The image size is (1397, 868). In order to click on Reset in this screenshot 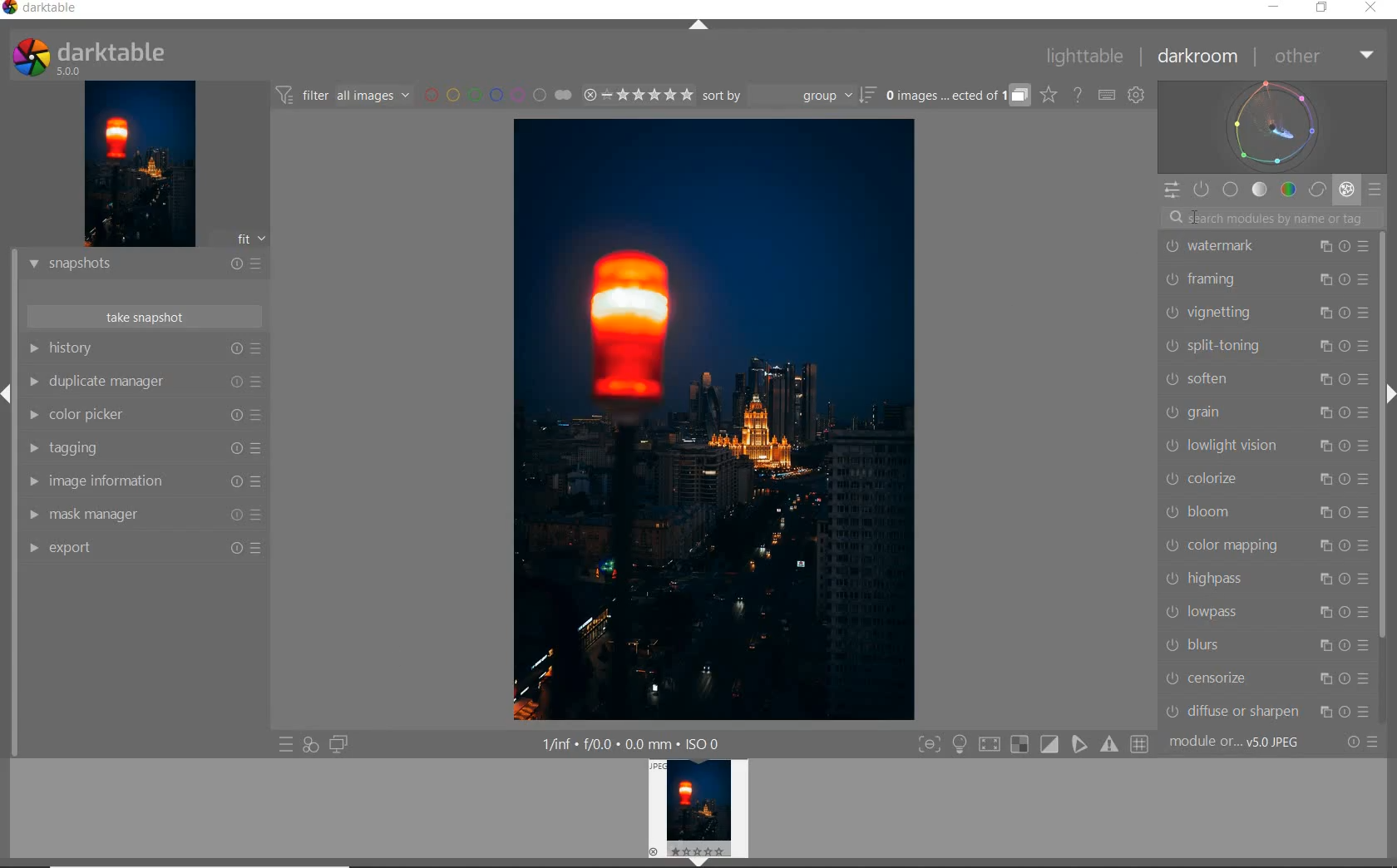, I will do `click(234, 516)`.